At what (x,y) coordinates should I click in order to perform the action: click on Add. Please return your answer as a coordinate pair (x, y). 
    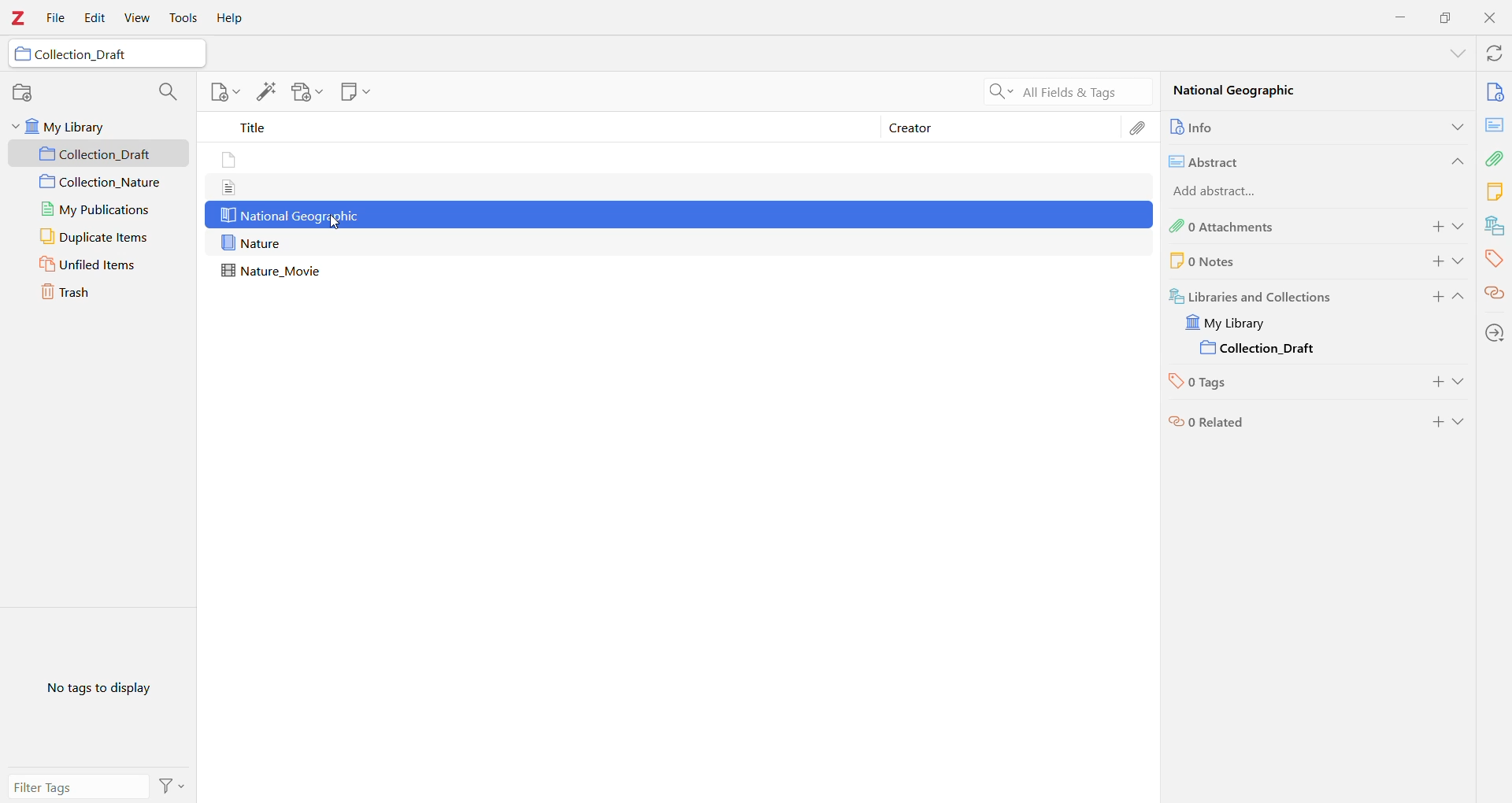
    Looking at the image, I should click on (1433, 261).